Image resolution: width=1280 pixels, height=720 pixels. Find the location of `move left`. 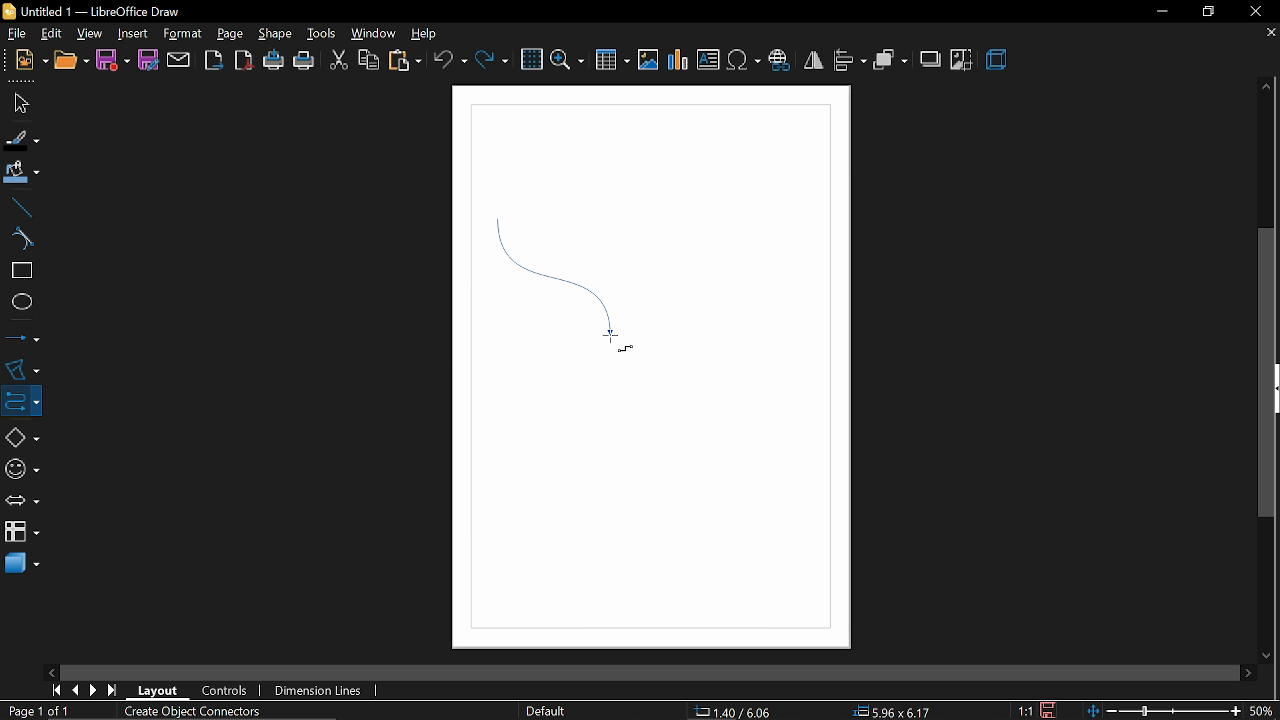

move left is located at coordinates (51, 671).